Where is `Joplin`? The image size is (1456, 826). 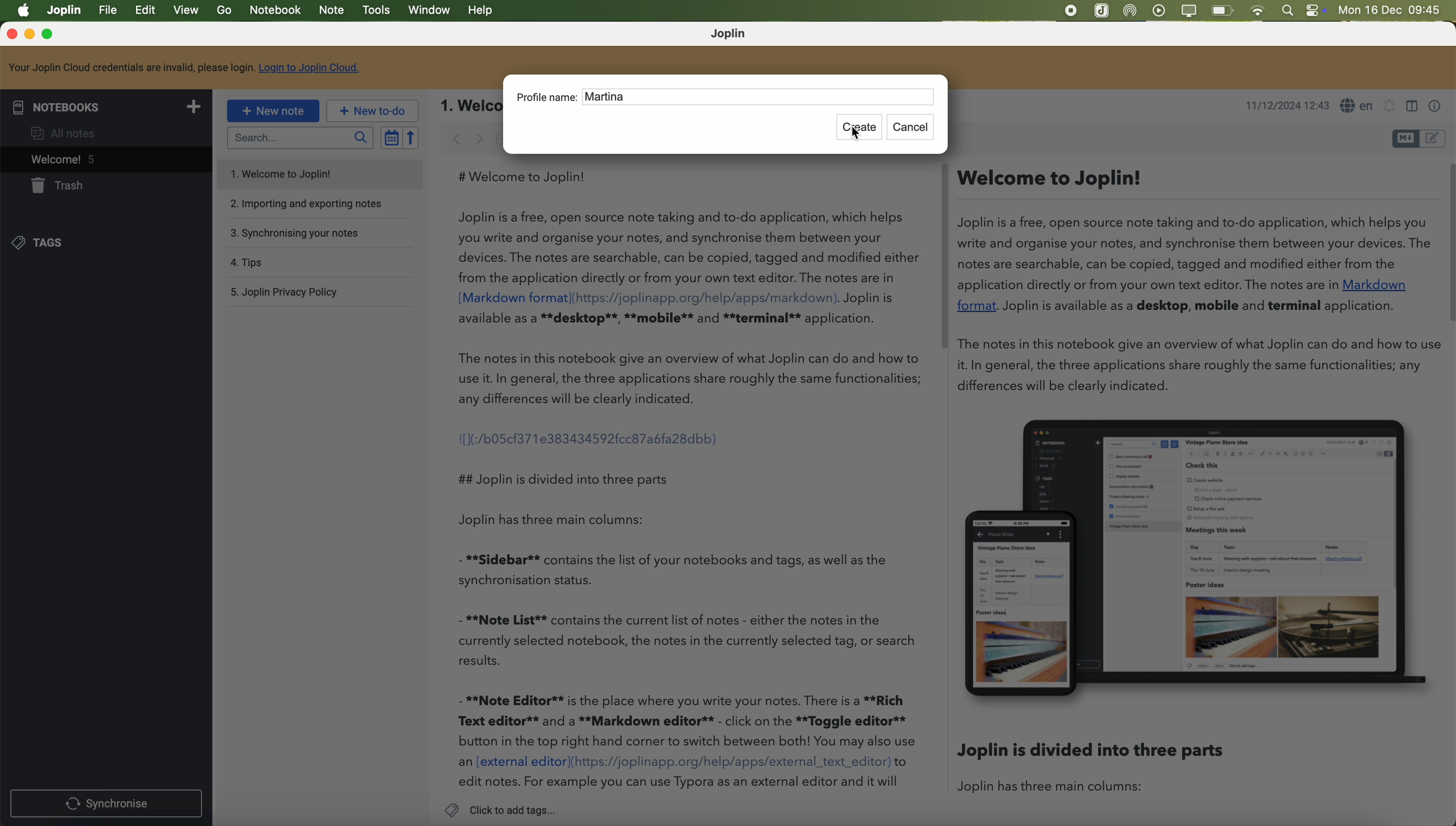 Joplin is located at coordinates (65, 10).